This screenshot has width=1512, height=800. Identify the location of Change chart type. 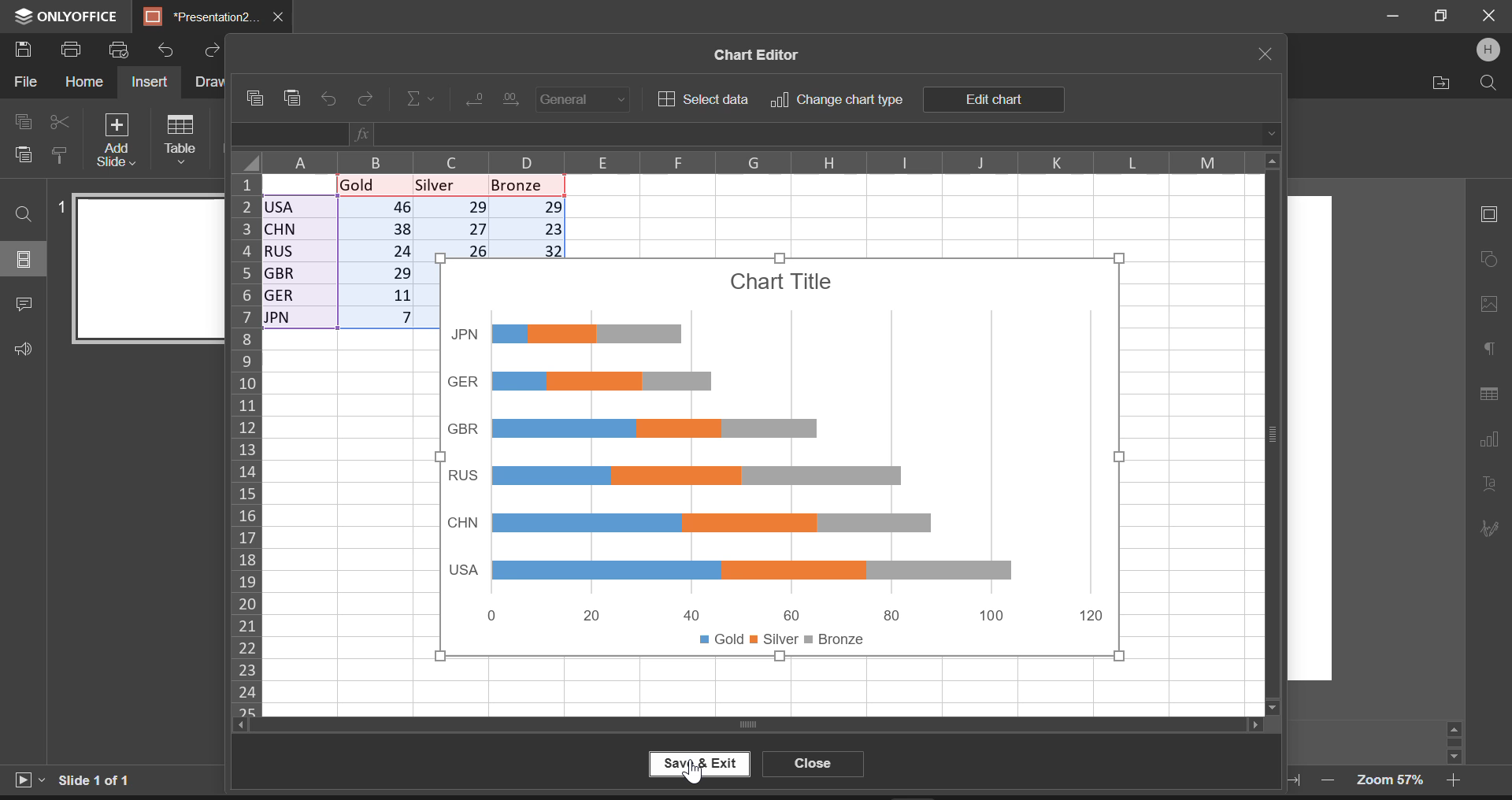
(833, 98).